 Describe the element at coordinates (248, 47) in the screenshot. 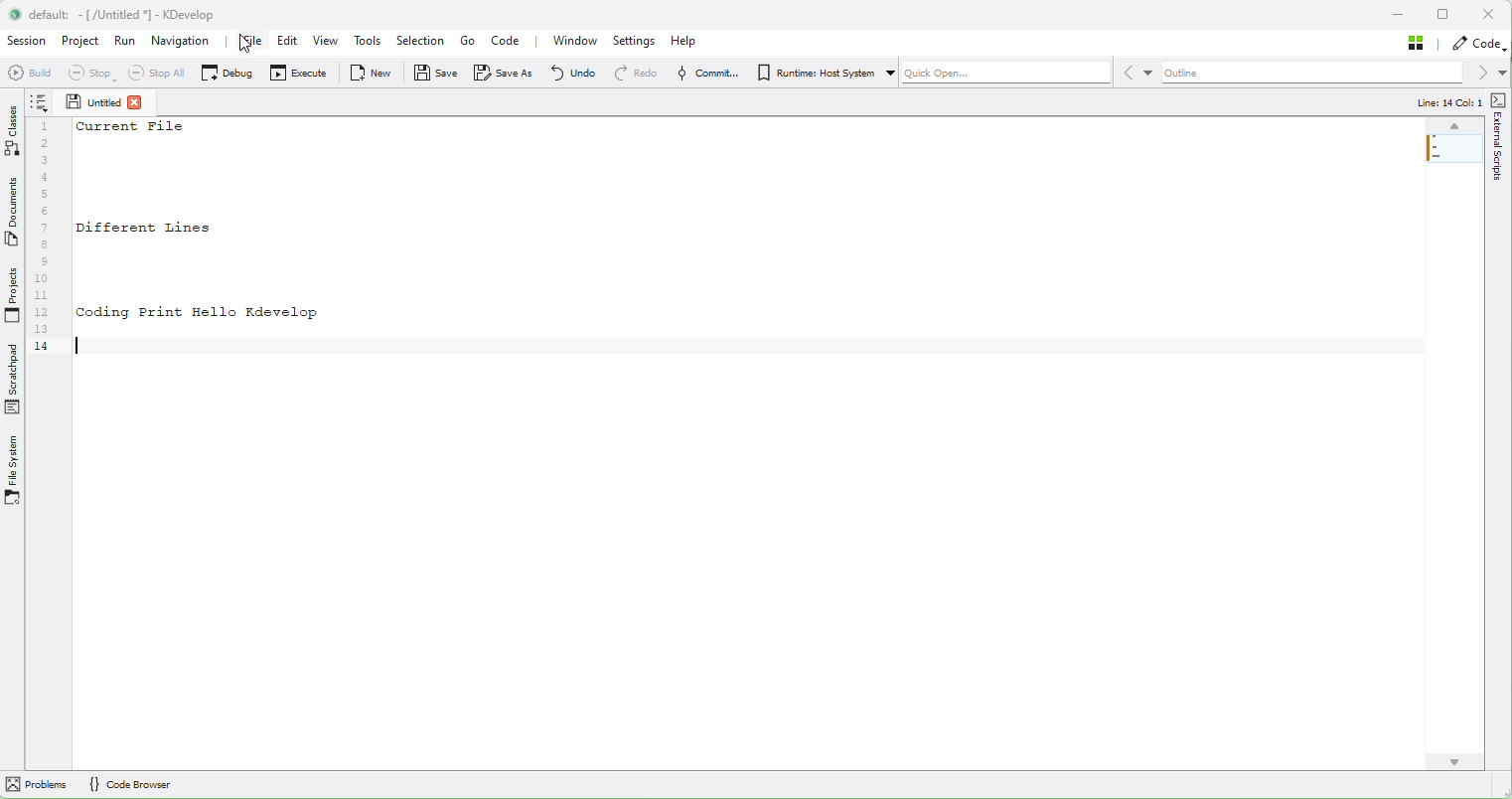

I see `cursor` at that location.